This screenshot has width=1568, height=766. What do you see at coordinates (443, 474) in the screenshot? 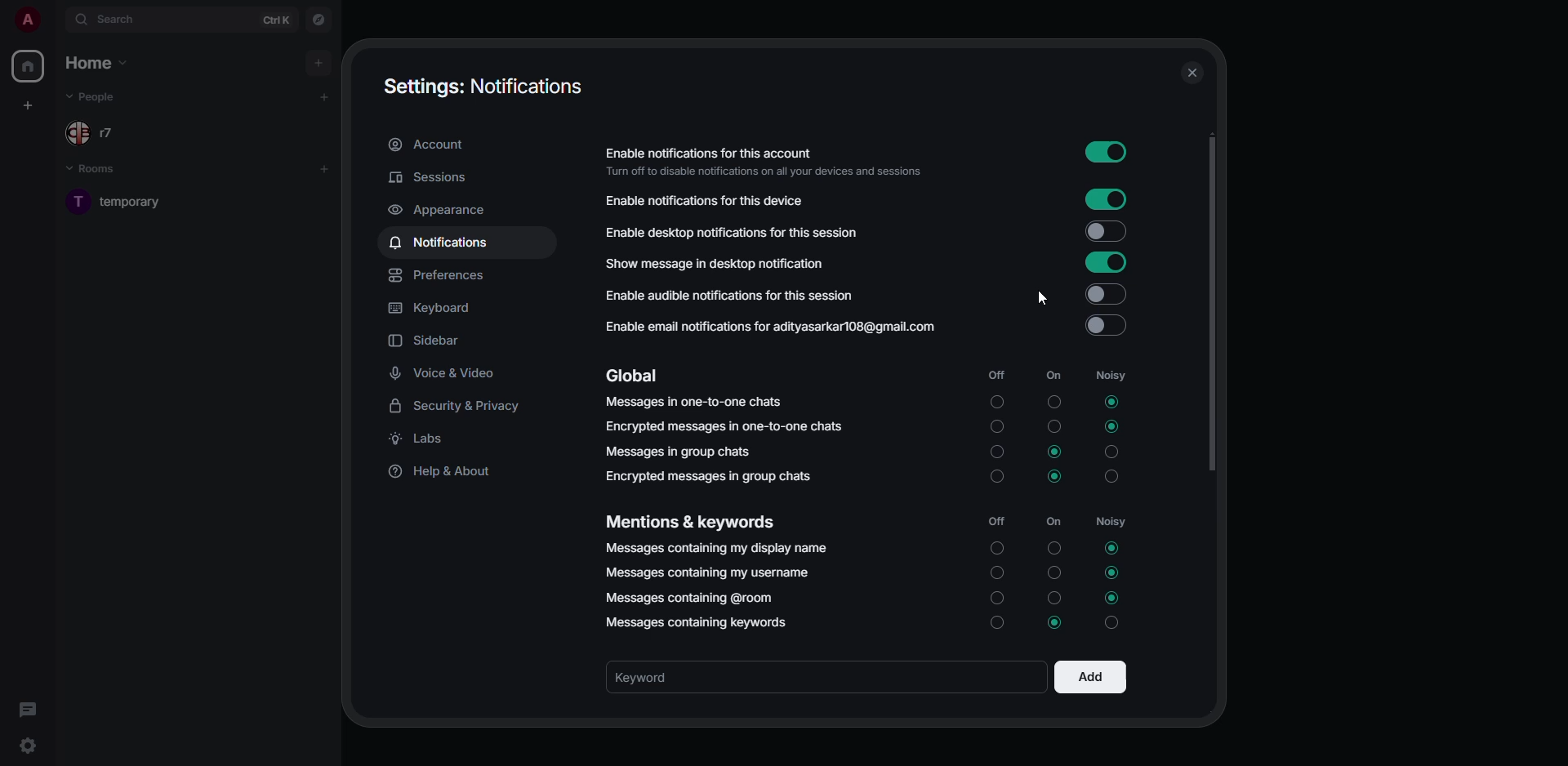
I see `help & about` at bounding box center [443, 474].